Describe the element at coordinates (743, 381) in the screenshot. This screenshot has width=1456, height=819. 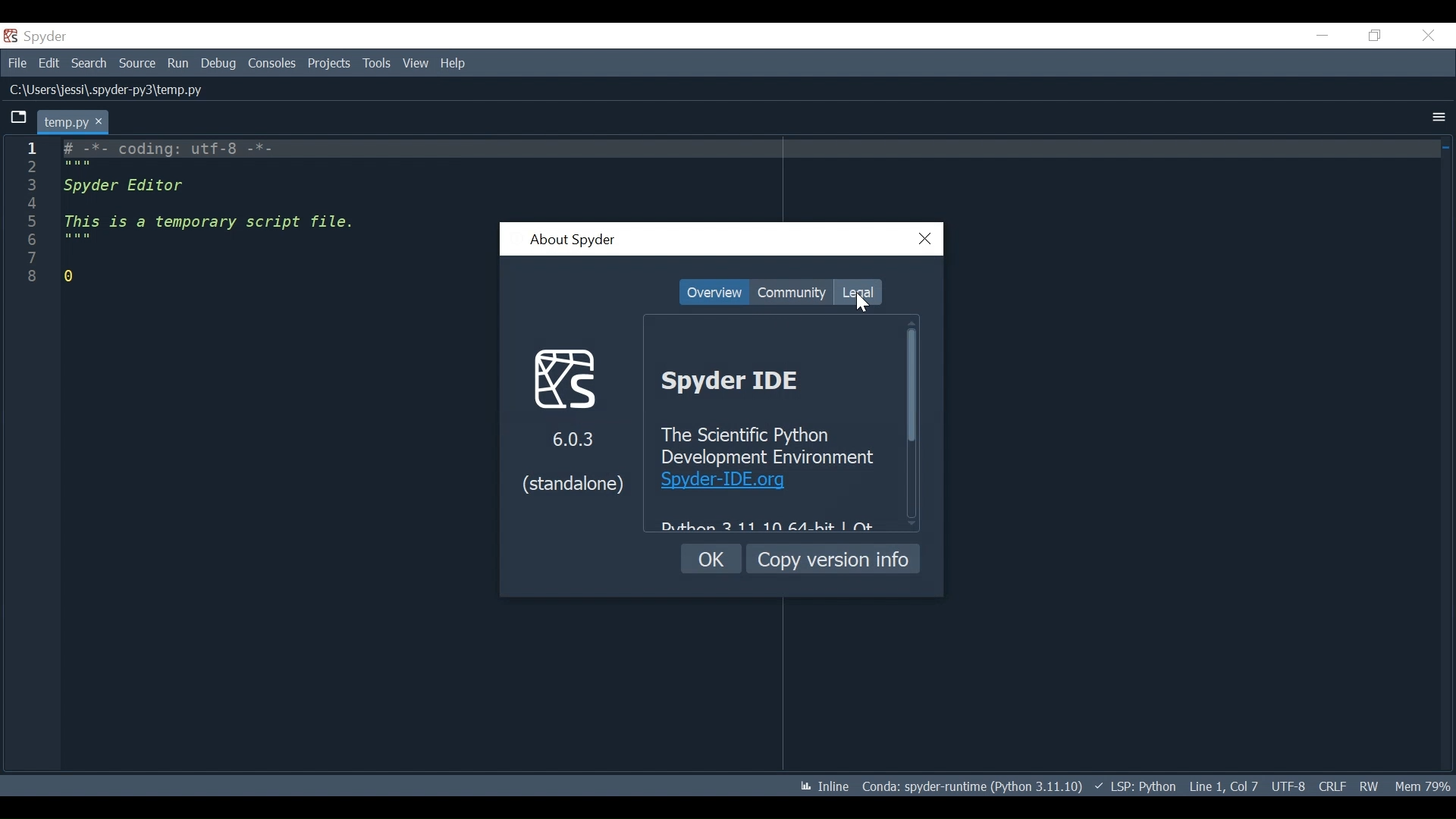
I see `Spyder Ide` at that location.